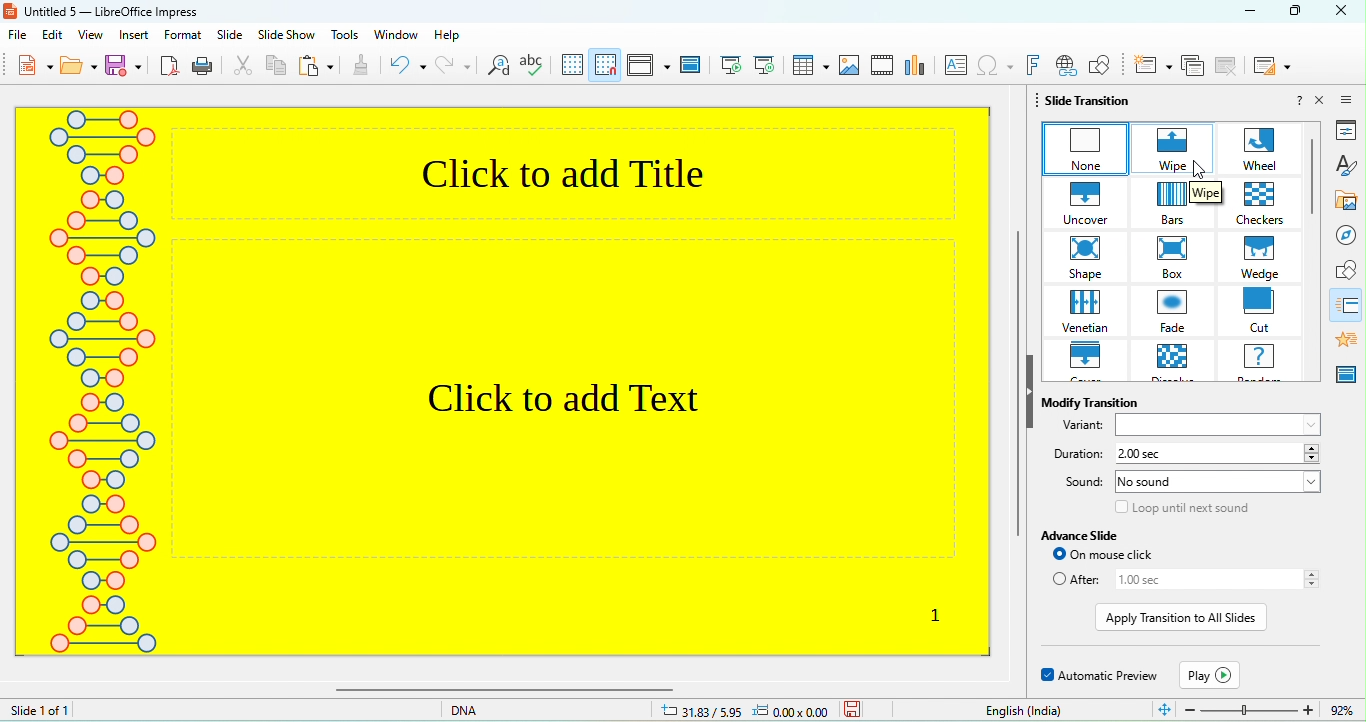  What do you see at coordinates (1176, 310) in the screenshot?
I see `fade` at bounding box center [1176, 310].